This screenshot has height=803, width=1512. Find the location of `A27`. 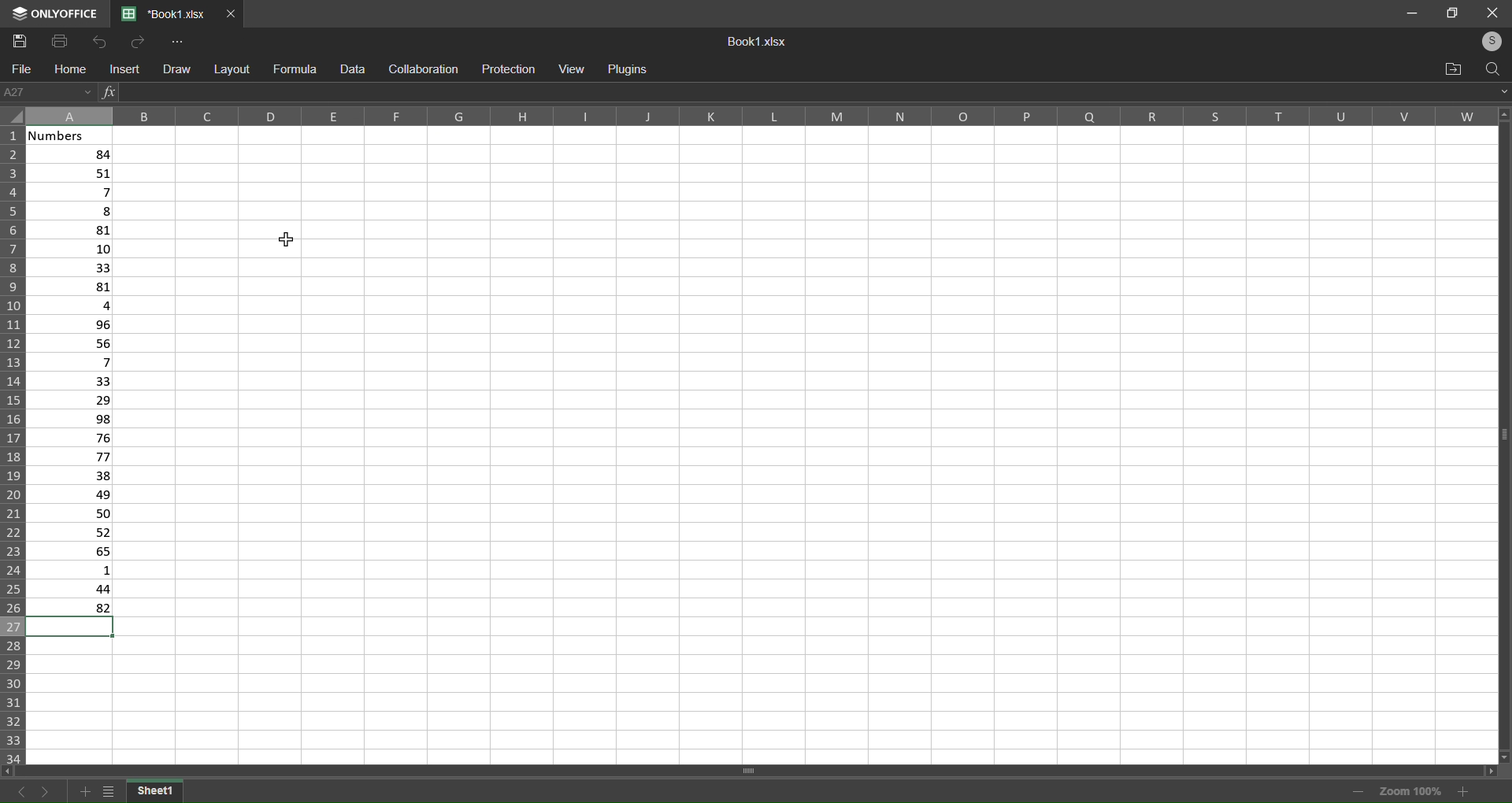

A27 is located at coordinates (50, 91).